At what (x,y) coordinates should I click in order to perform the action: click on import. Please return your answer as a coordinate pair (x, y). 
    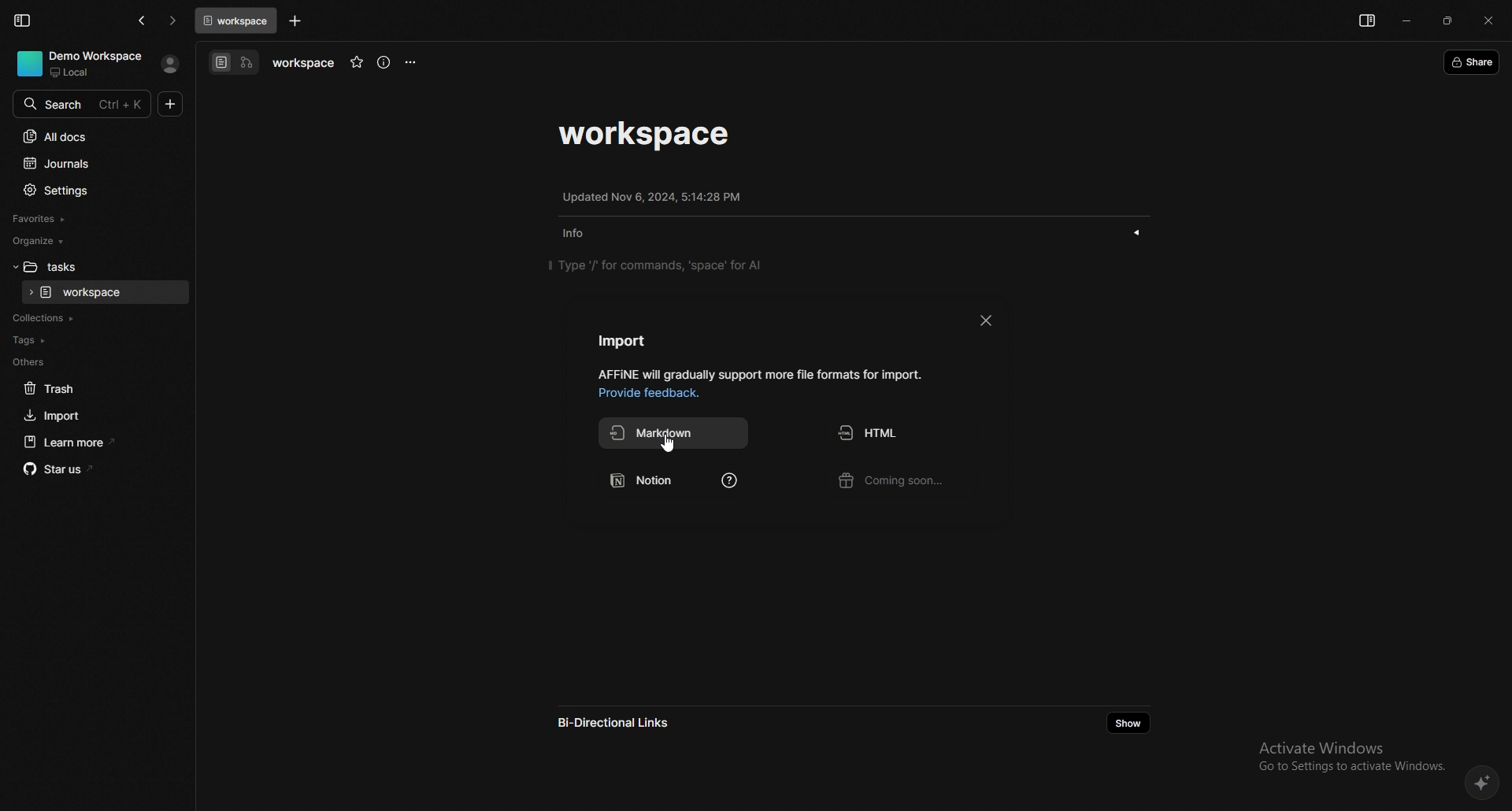
    Looking at the image, I should click on (91, 416).